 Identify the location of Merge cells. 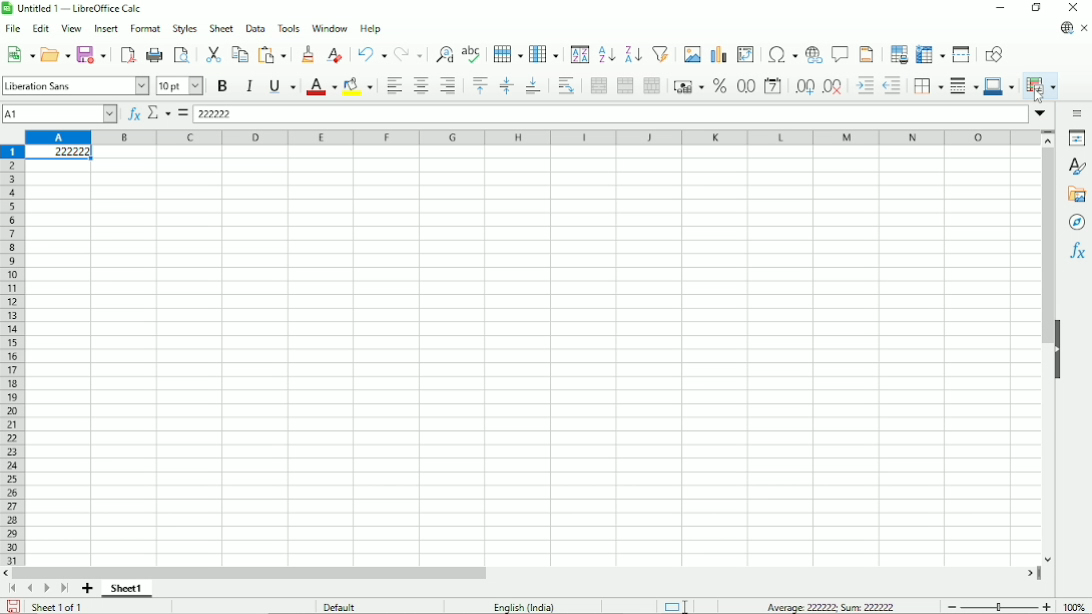
(625, 86).